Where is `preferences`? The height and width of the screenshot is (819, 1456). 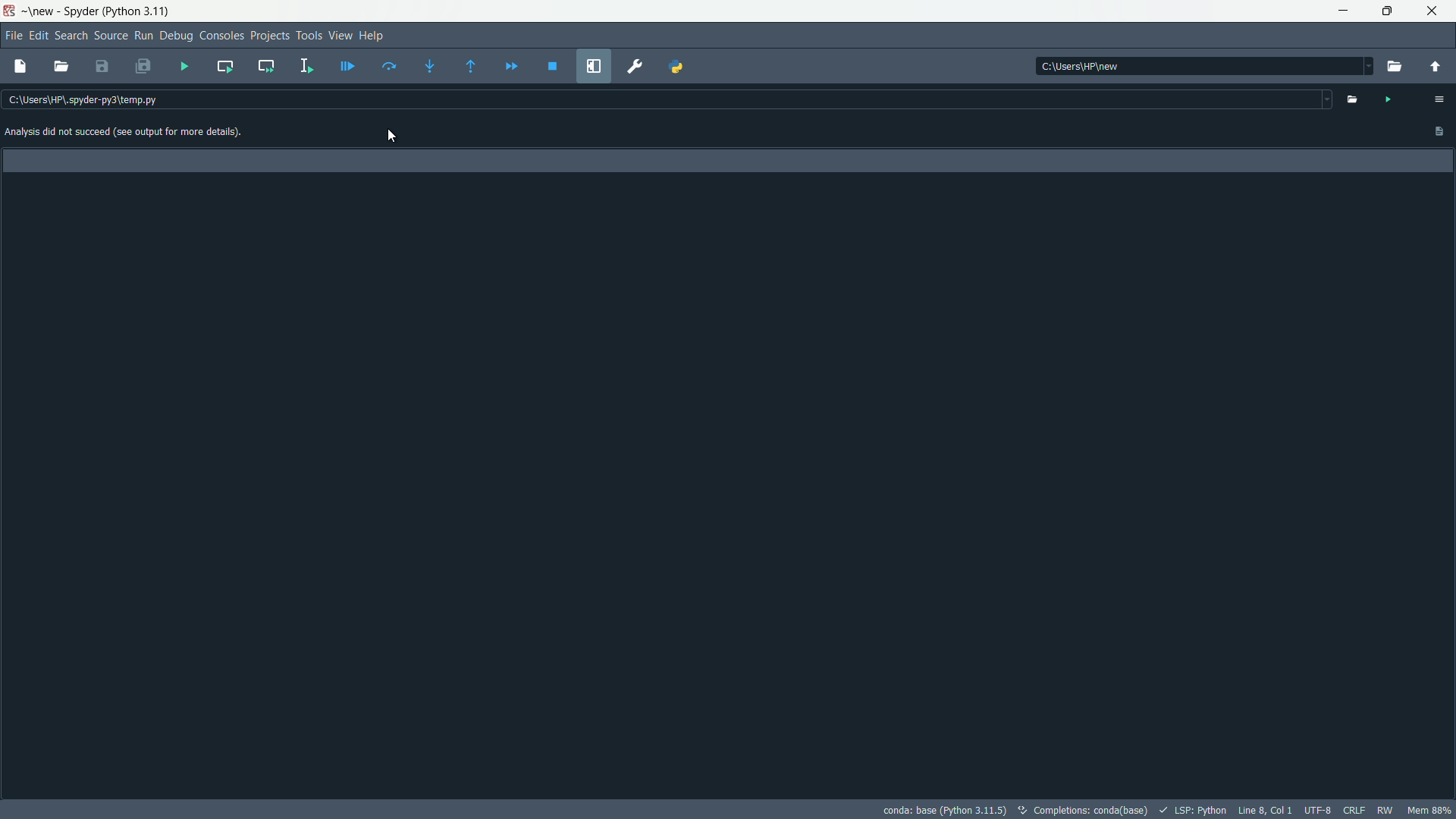 preferences is located at coordinates (635, 67).